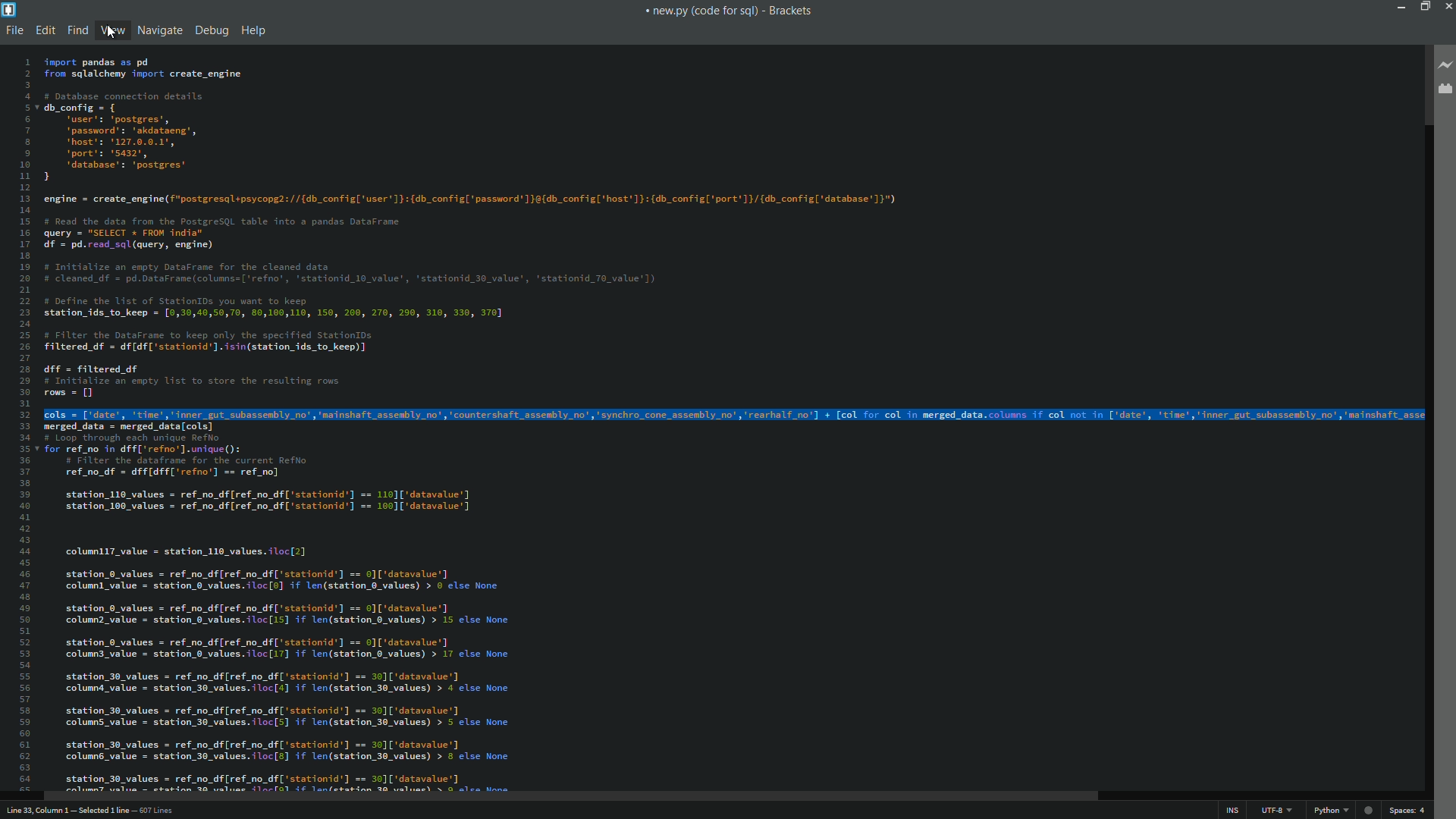  Describe the element at coordinates (22, 424) in the screenshot. I see `line numbers` at that location.